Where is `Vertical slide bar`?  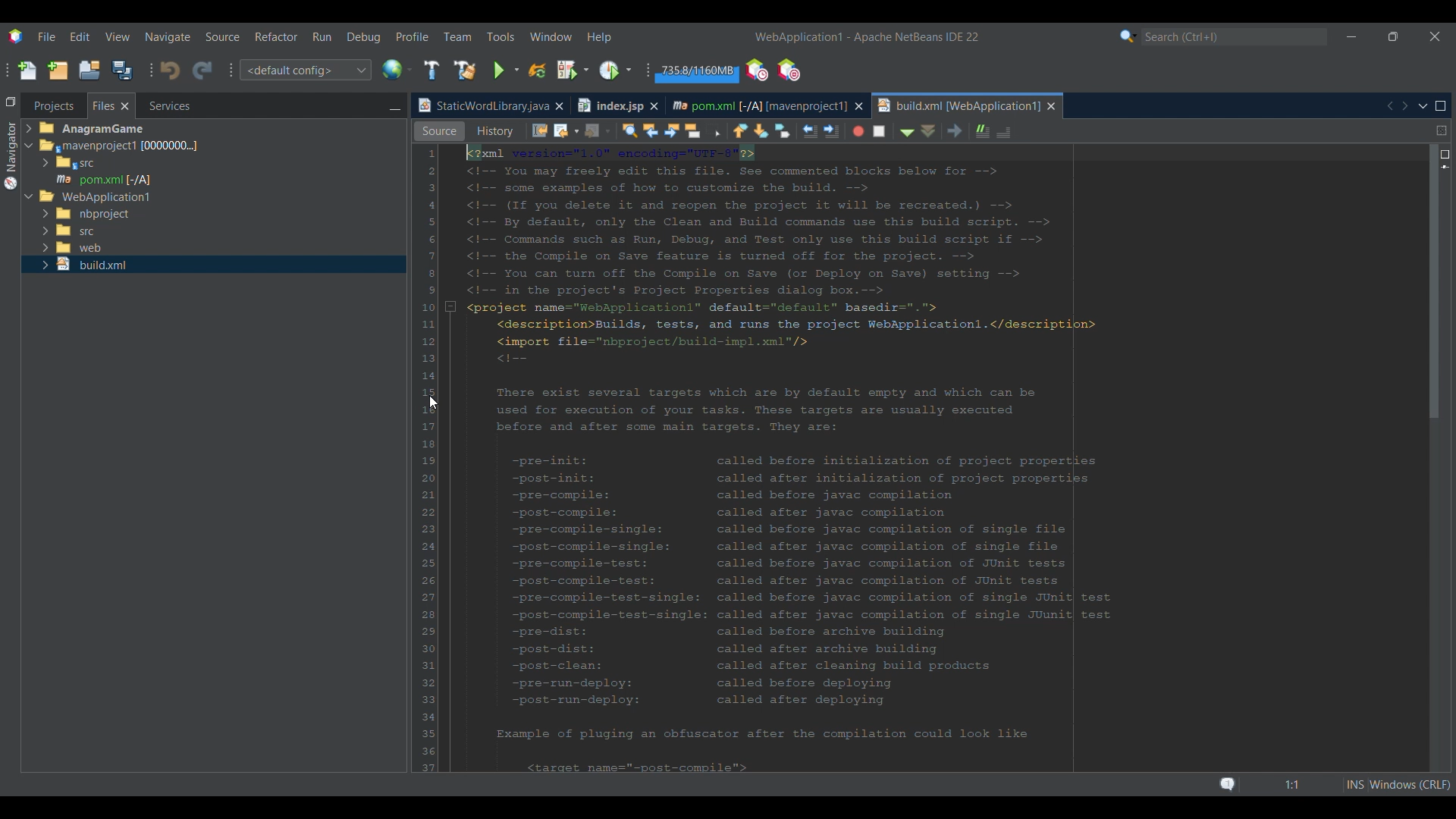
Vertical slide bar is located at coordinates (1436, 461).